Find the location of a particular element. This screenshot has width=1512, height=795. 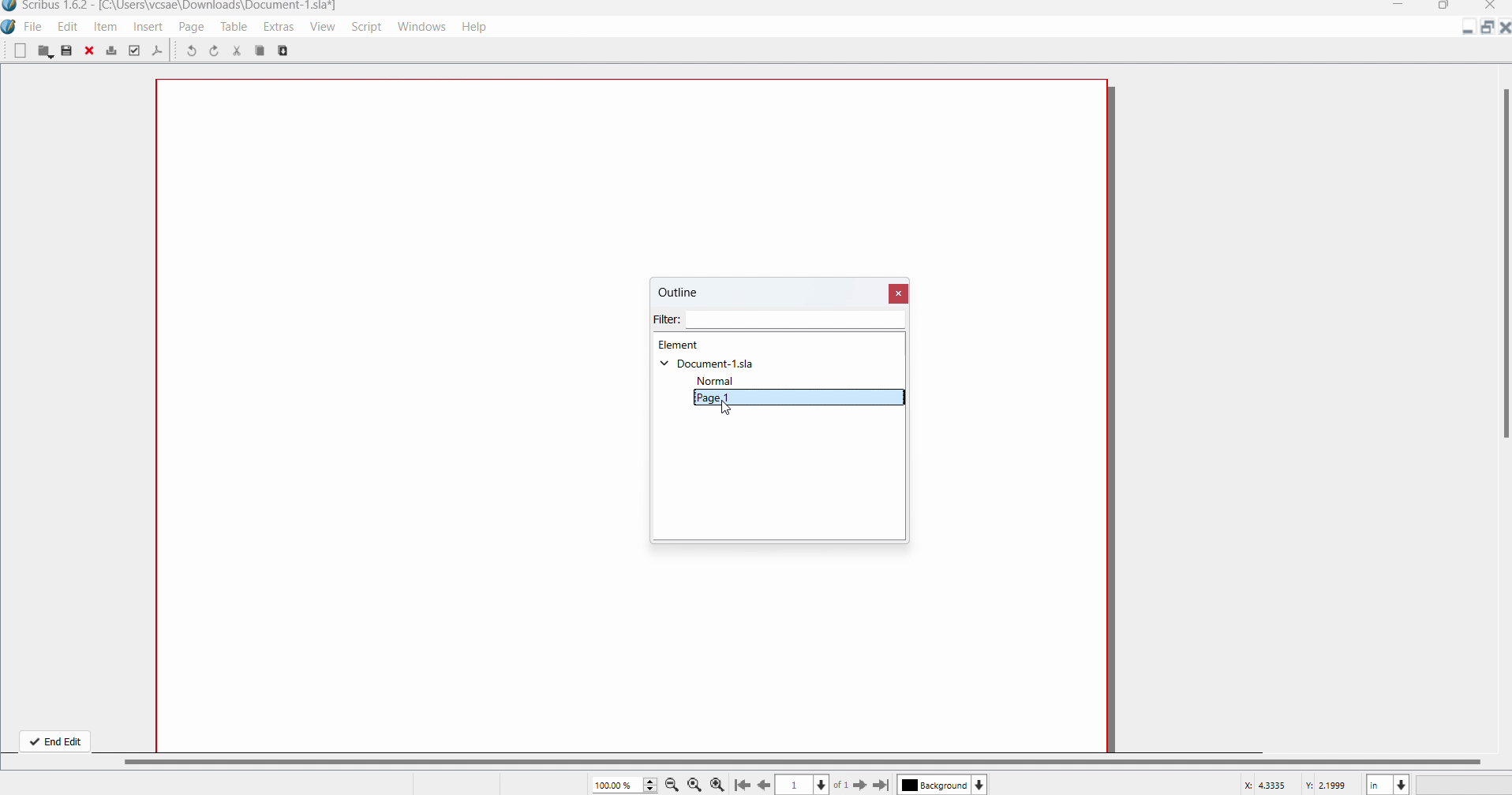

Box is located at coordinates (1443, 7).